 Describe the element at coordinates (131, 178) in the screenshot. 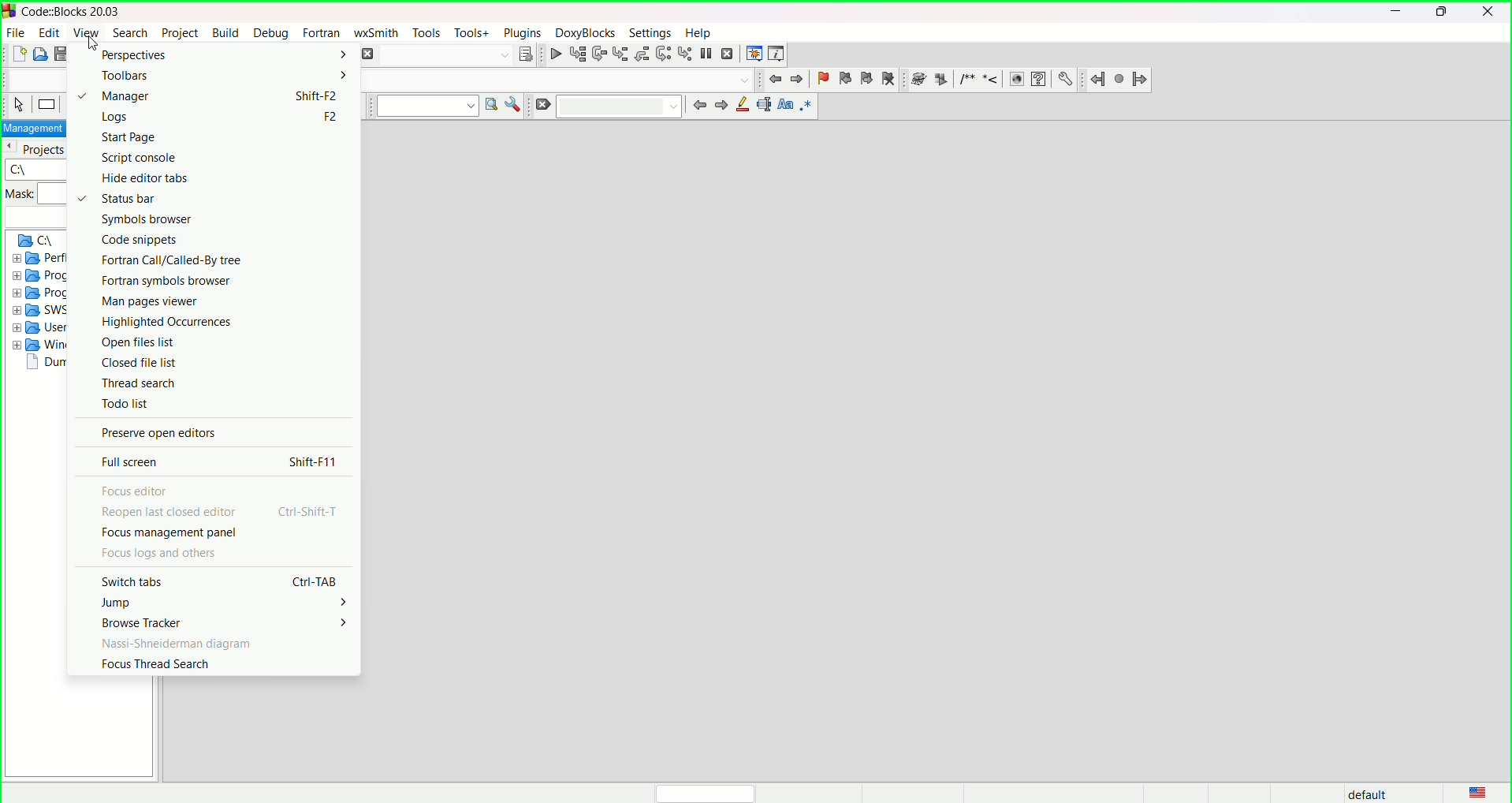

I see `hide editor tabs` at that location.